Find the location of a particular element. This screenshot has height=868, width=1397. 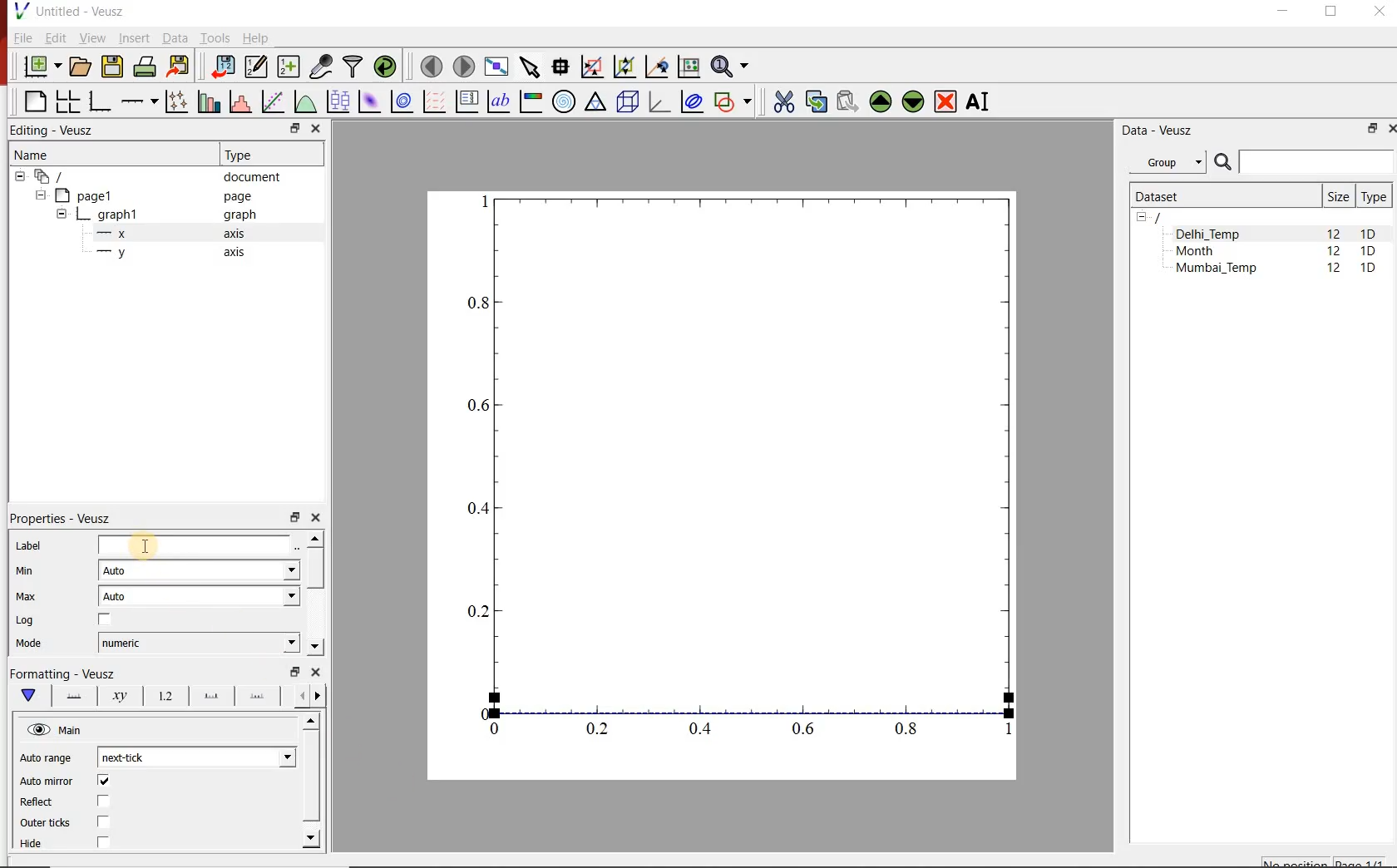

3d graph is located at coordinates (657, 101).